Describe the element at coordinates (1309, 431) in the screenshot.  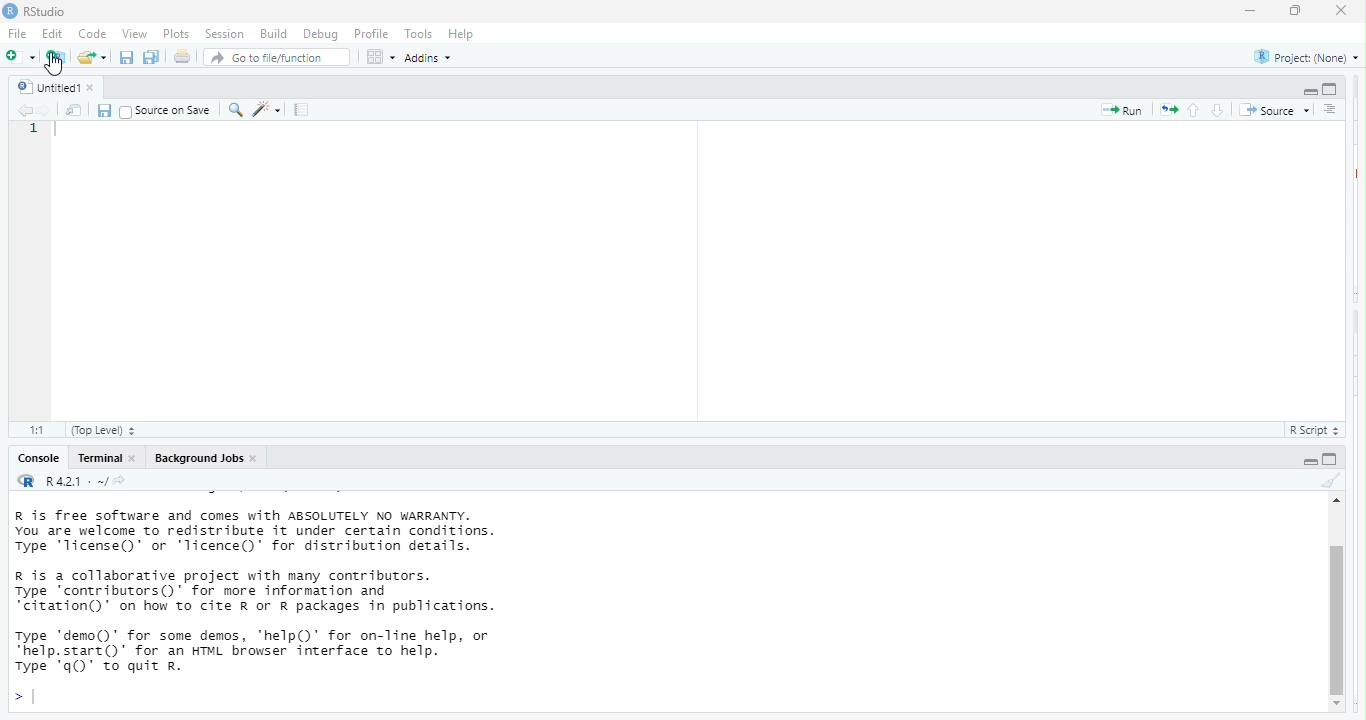
I see `RScript ` at that location.